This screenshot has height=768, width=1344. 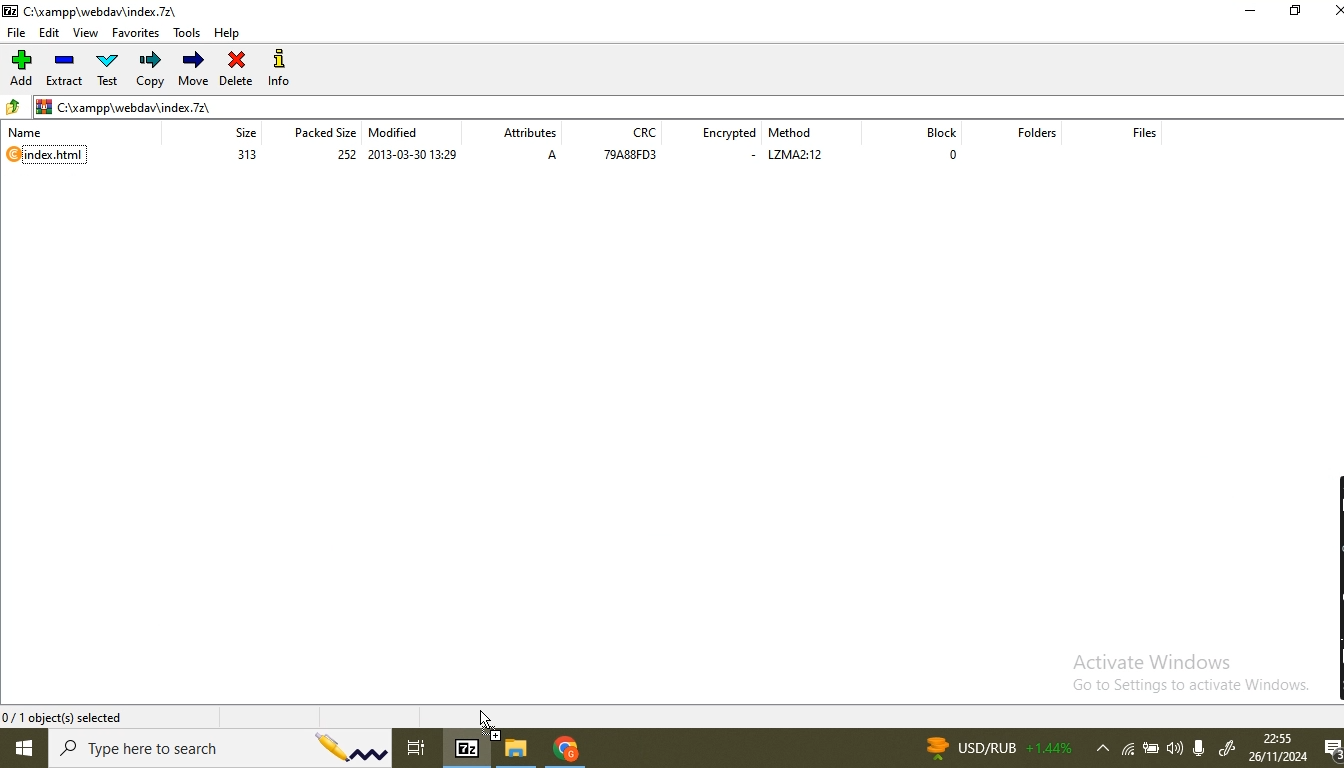 What do you see at coordinates (645, 133) in the screenshot?
I see `crc` at bounding box center [645, 133].